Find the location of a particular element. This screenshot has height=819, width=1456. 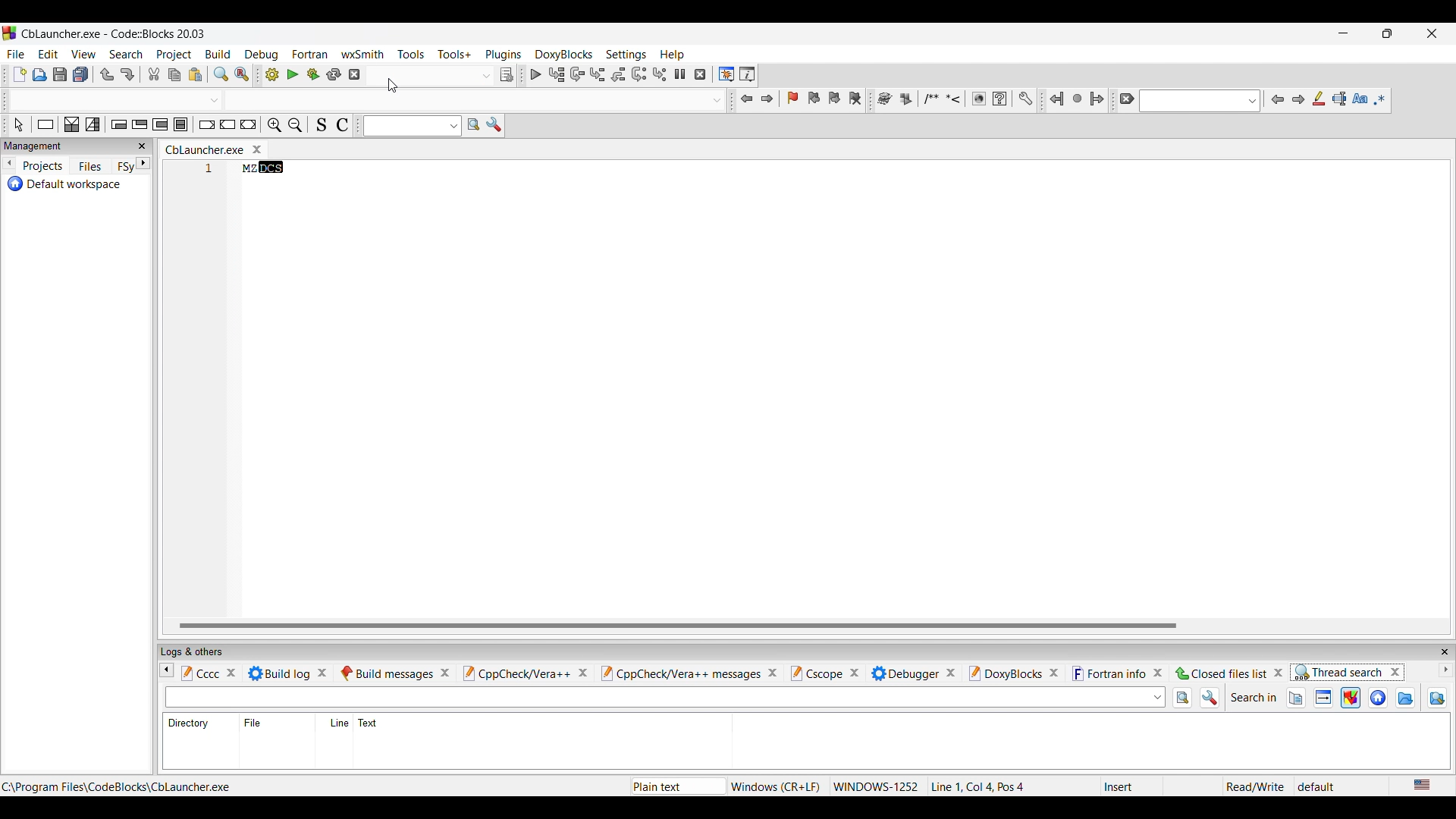

Windows is located at coordinates (775, 785).